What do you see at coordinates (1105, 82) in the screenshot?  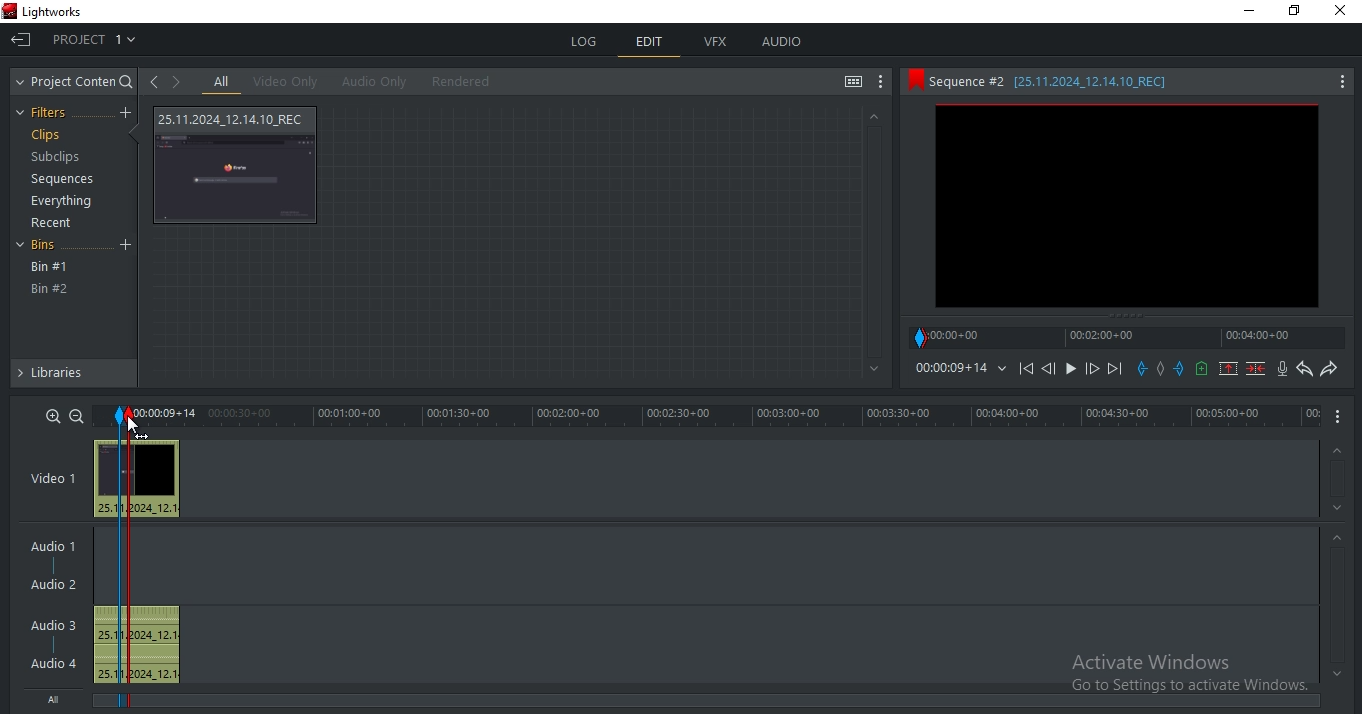 I see `sequence #2` at bounding box center [1105, 82].